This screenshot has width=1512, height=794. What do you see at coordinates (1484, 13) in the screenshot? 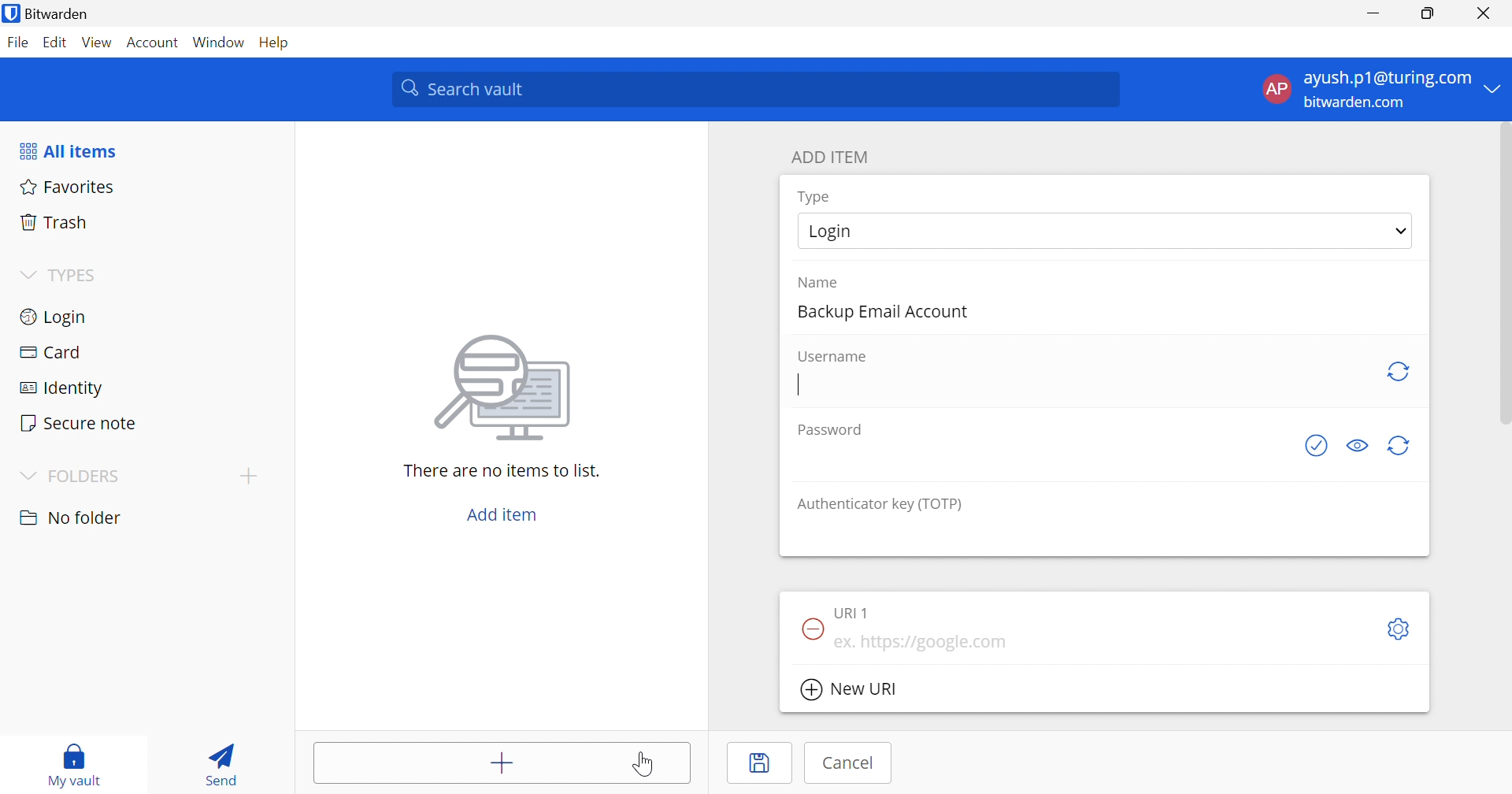
I see `Close` at bounding box center [1484, 13].